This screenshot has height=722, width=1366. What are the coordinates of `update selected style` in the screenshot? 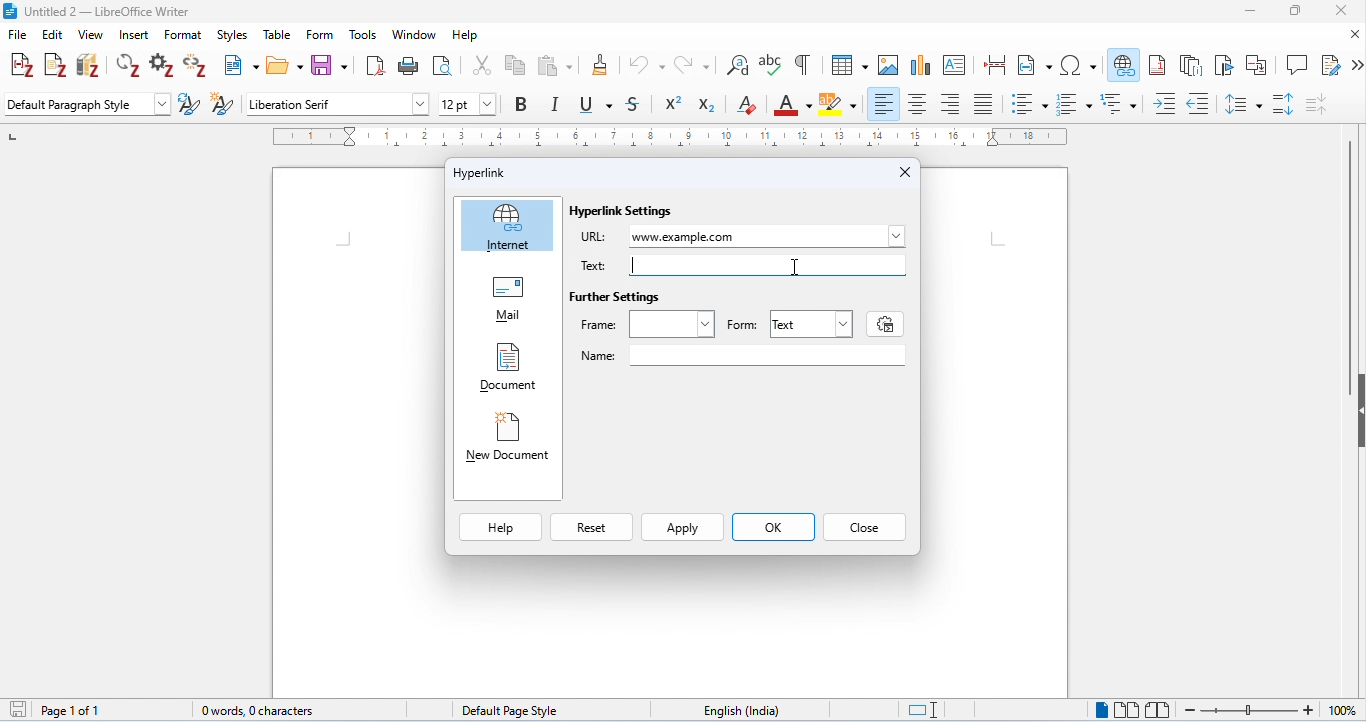 It's located at (190, 105).